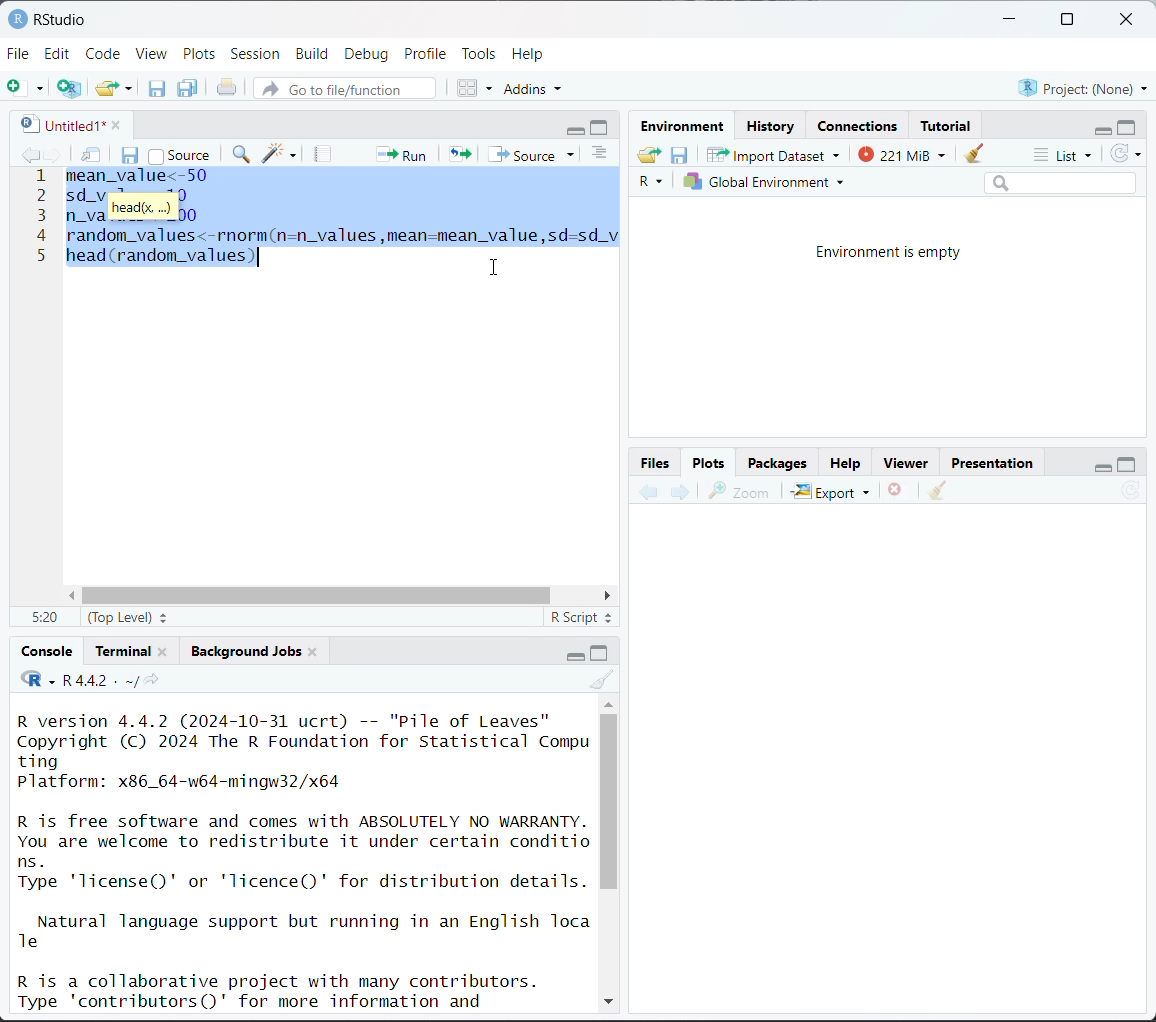  I want to click on 5:20, so click(43, 618).